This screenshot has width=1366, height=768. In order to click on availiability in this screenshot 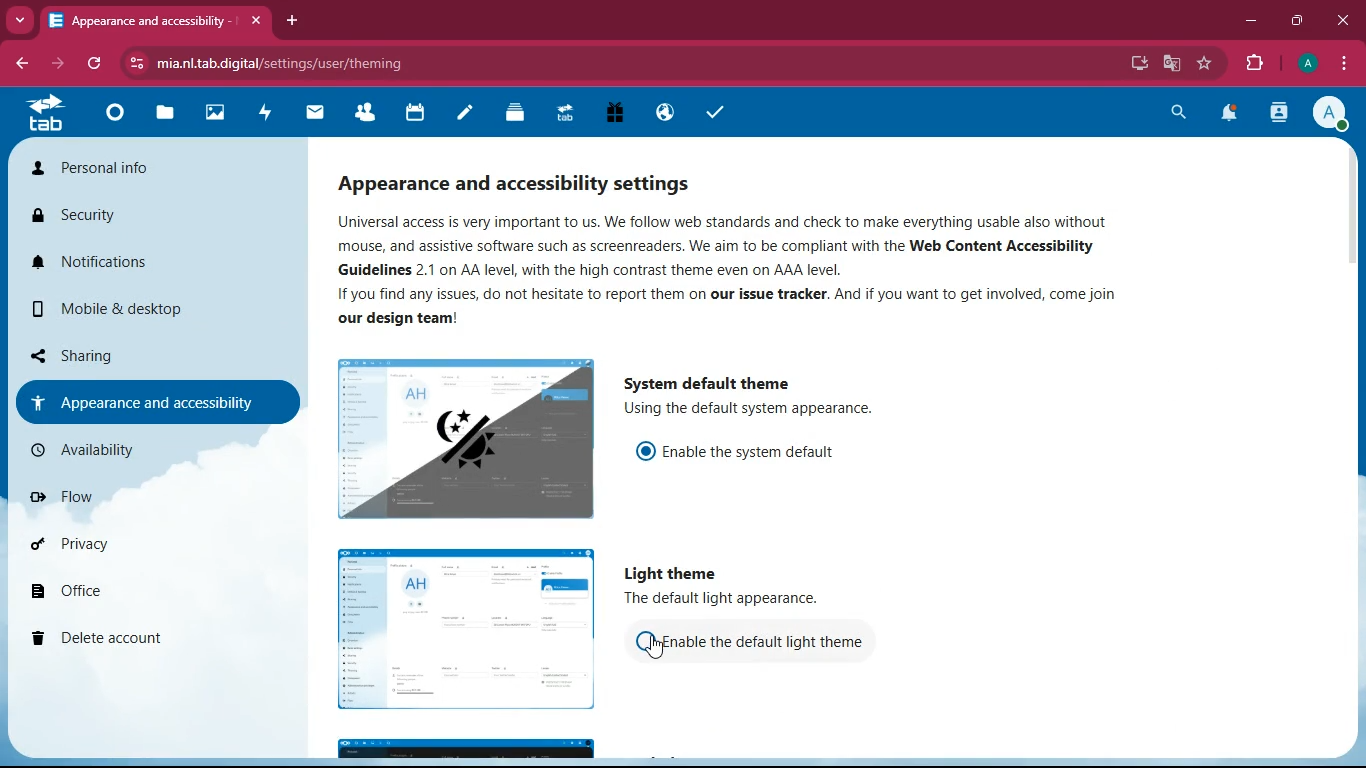, I will do `click(151, 452)`.